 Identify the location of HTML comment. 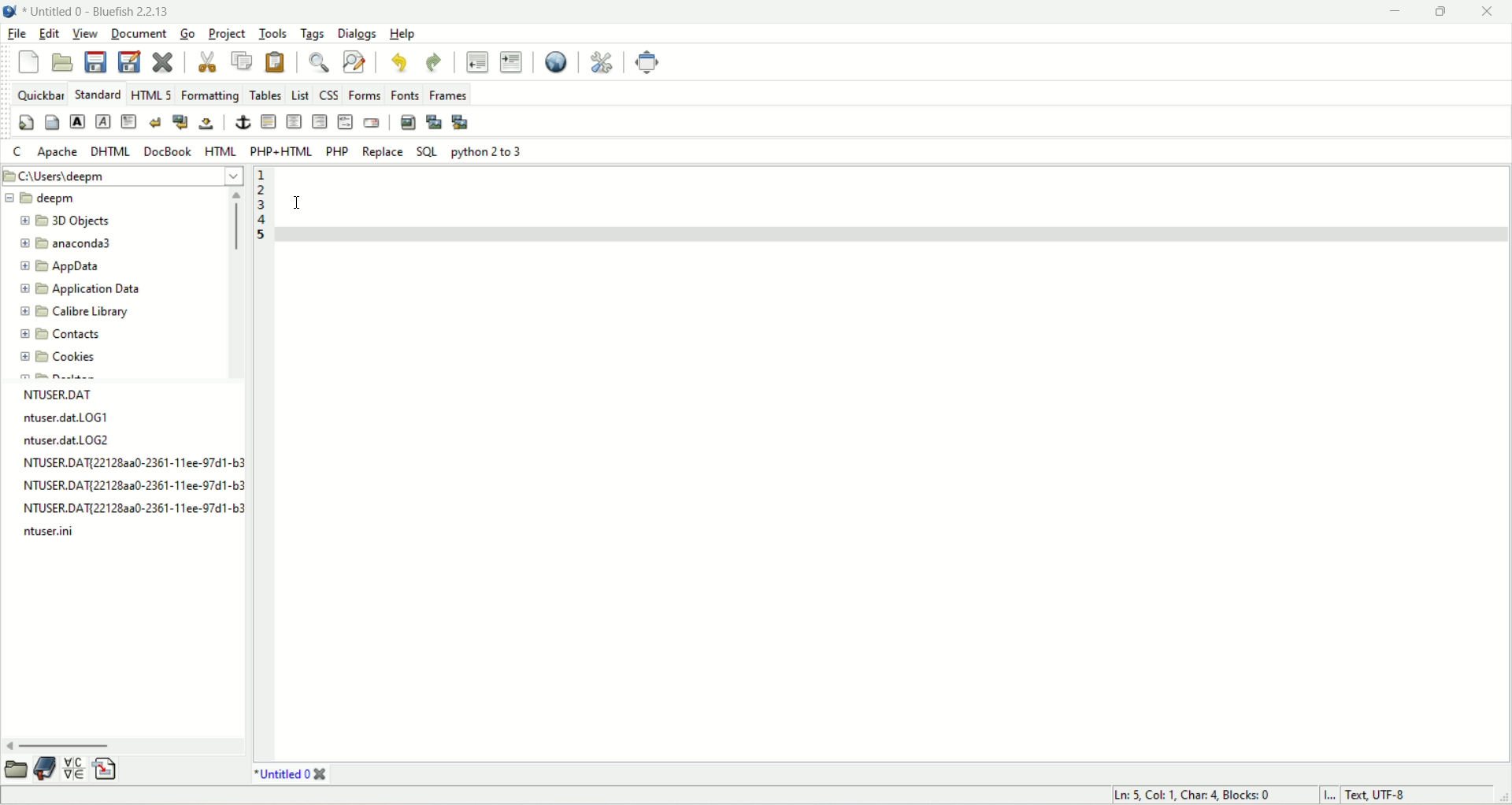
(344, 124).